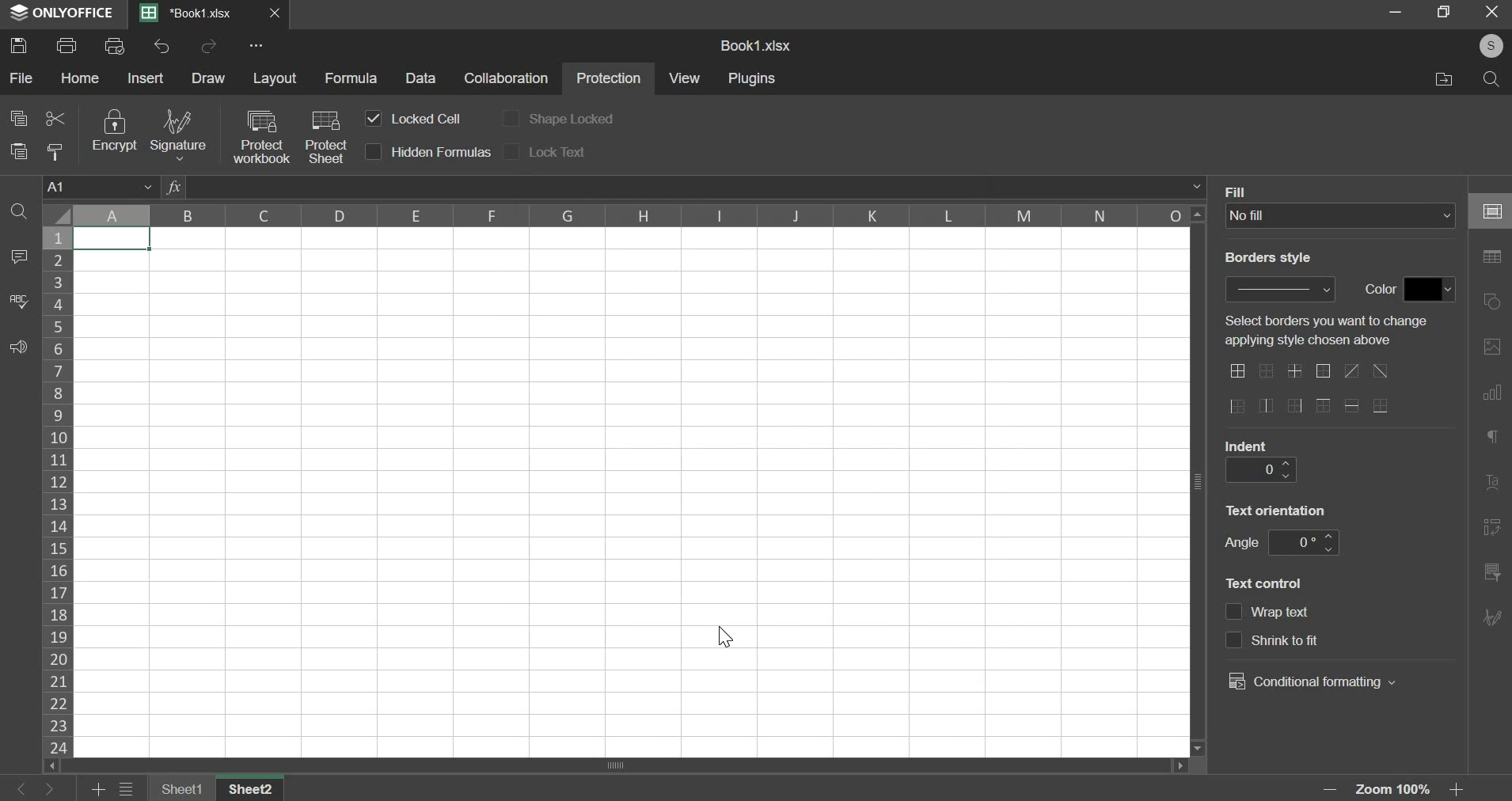 The image size is (1512, 801). Describe the element at coordinates (1491, 571) in the screenshot. I see `right side bar` at that location.